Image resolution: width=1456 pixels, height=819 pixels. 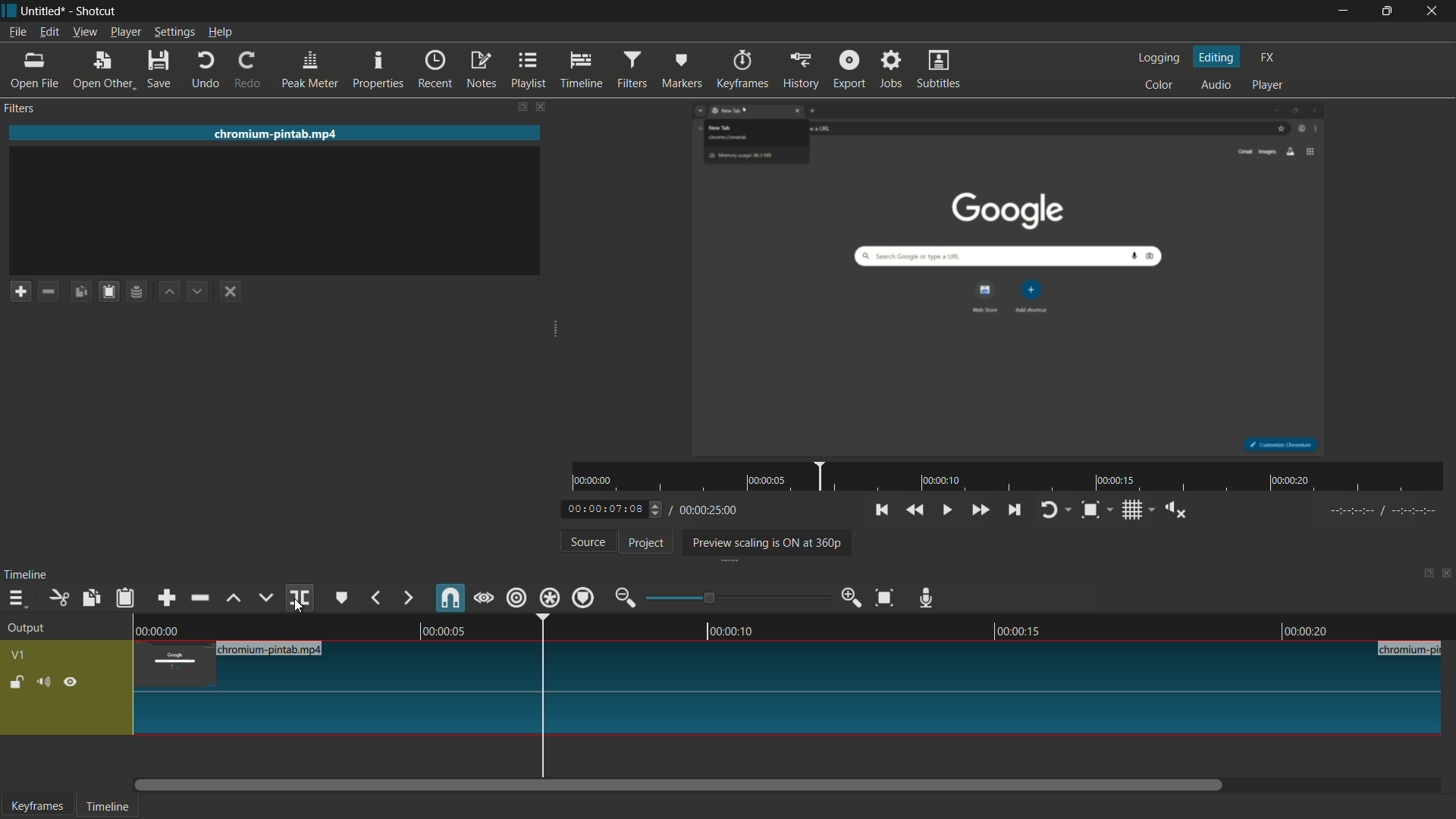 What do you see at coordinates (110, 291) in the screenshot?
I see `paste filters` at bounding box center [110, 291].